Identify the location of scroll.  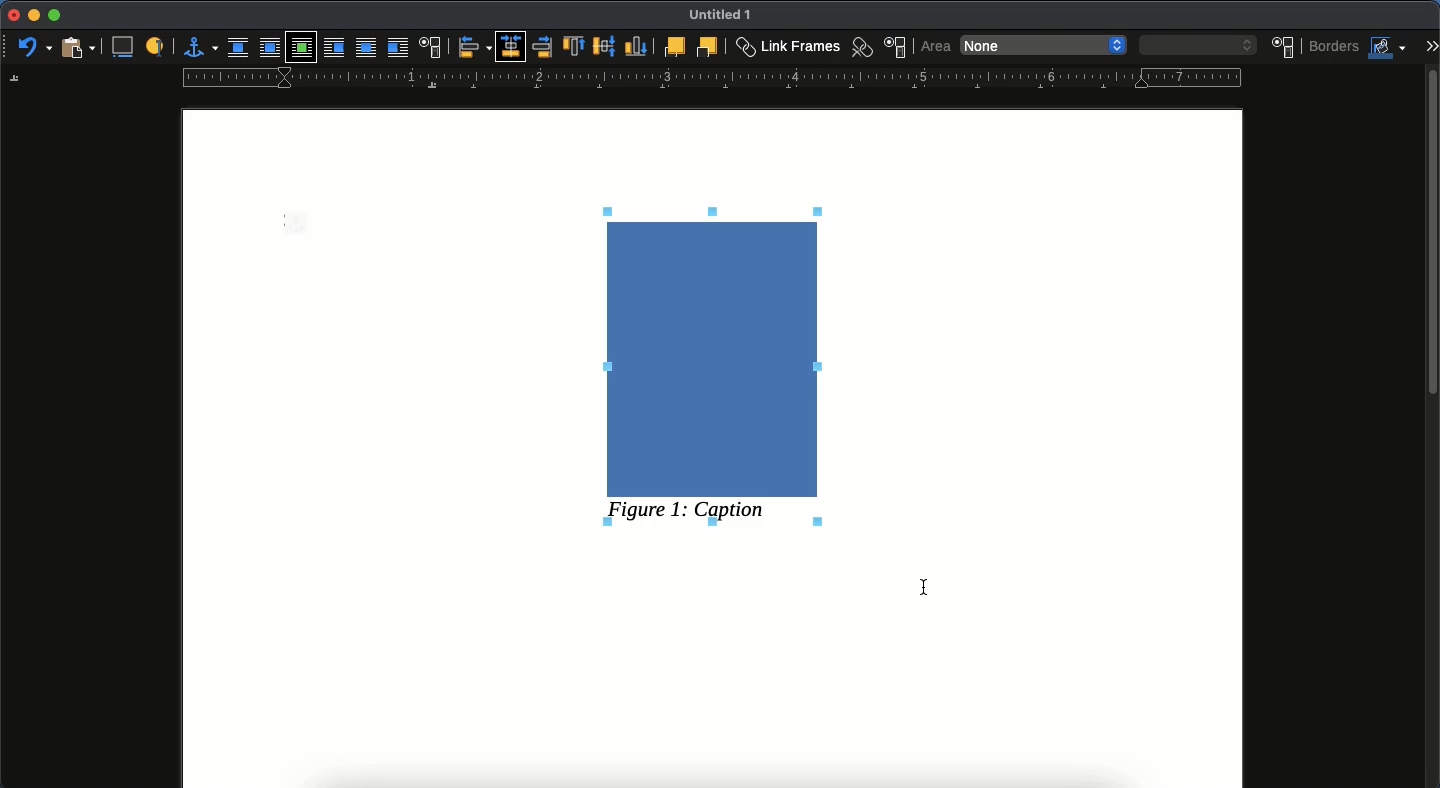
(1431, 425).